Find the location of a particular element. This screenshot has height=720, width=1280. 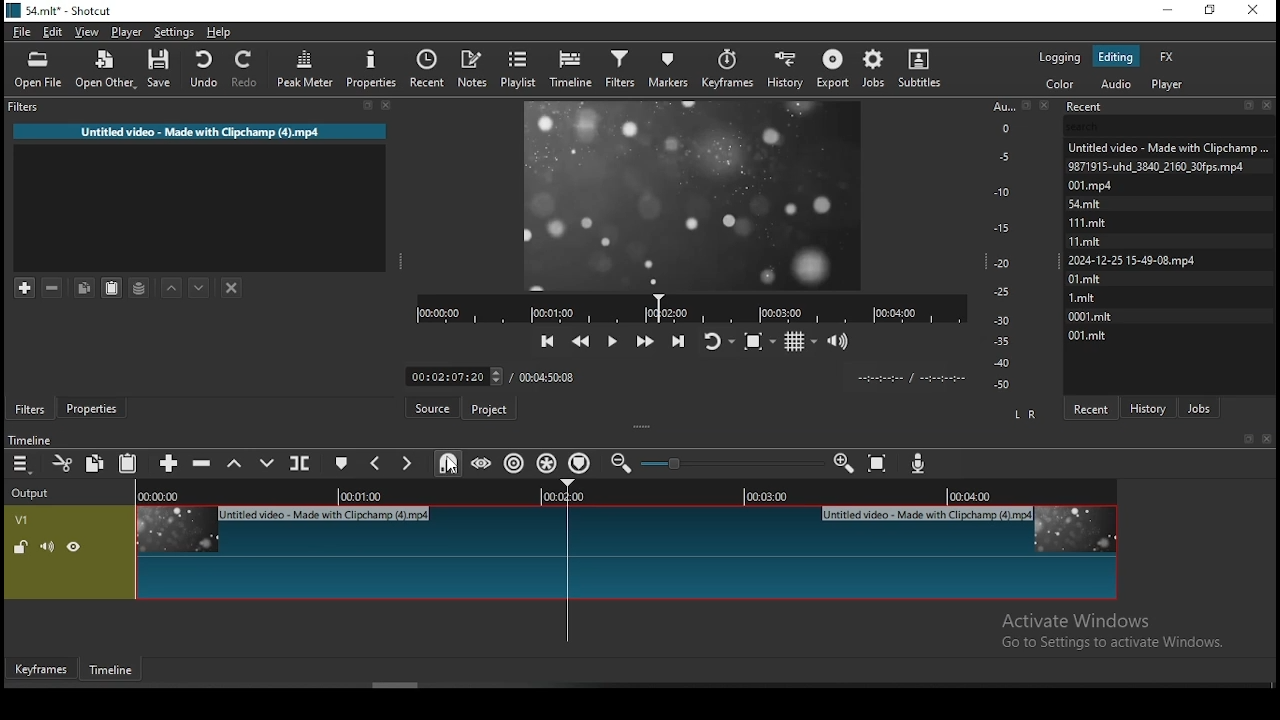

play quickly backwards is located at coordinates (579, 341).